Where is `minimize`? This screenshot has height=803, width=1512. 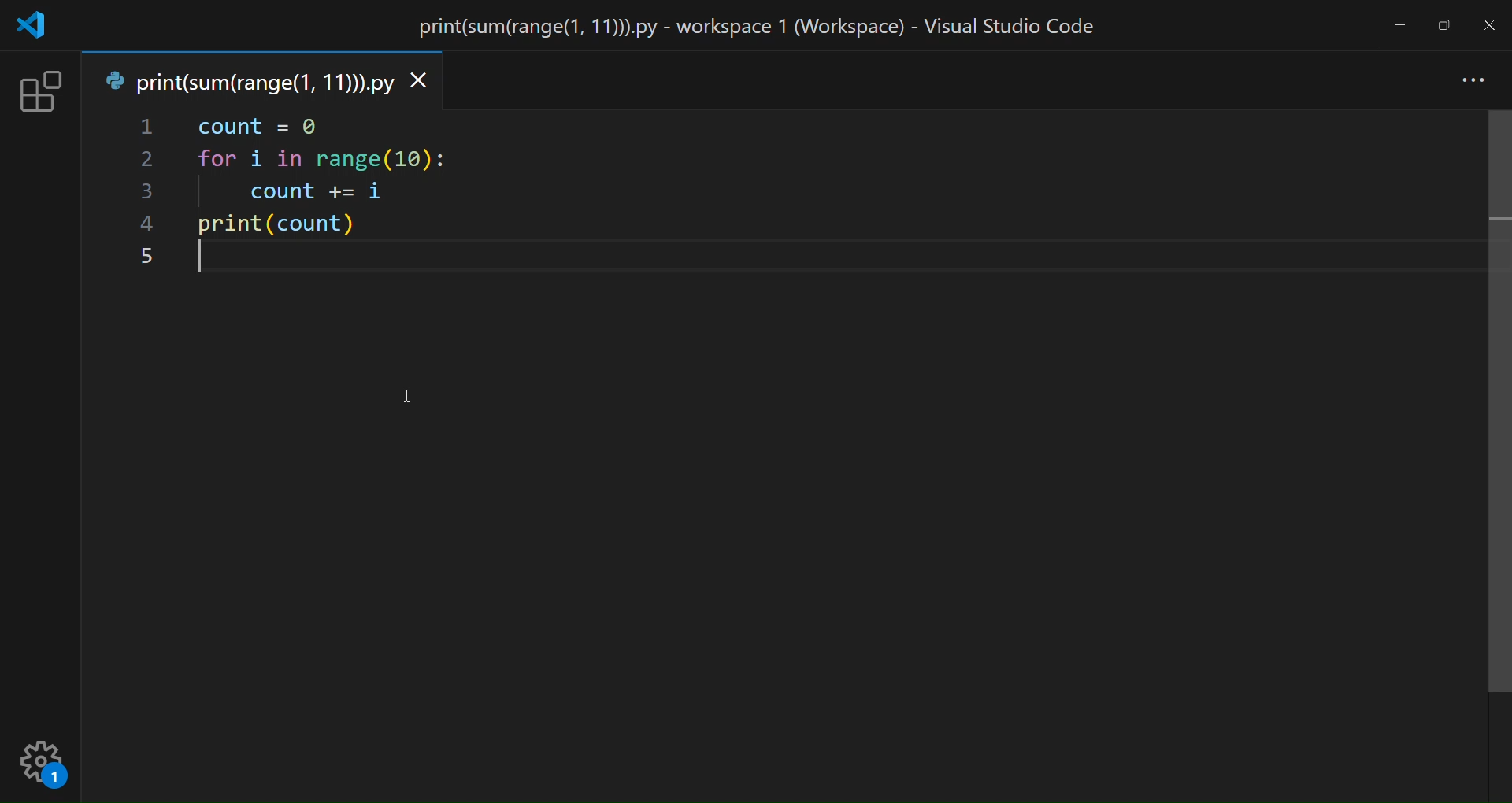 minimize is located at coordinates (1399, 29).